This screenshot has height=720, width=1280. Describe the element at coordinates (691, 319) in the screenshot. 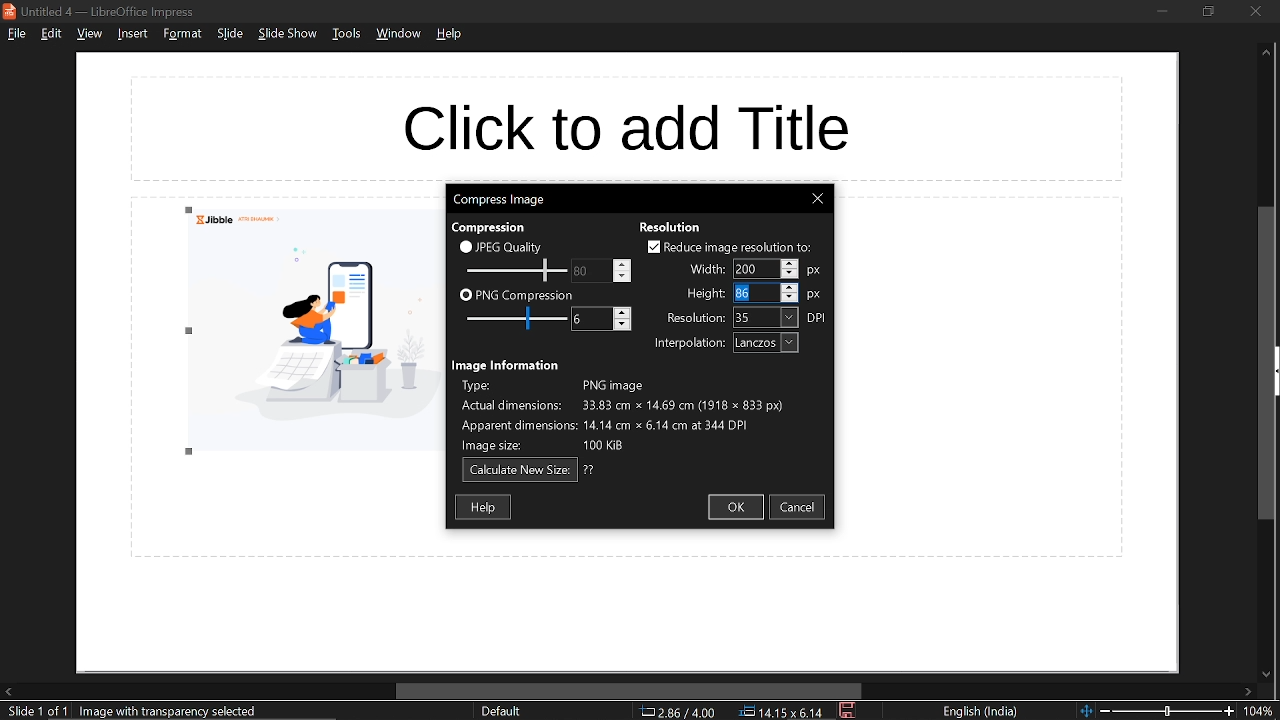

I see `resolution` at that location.